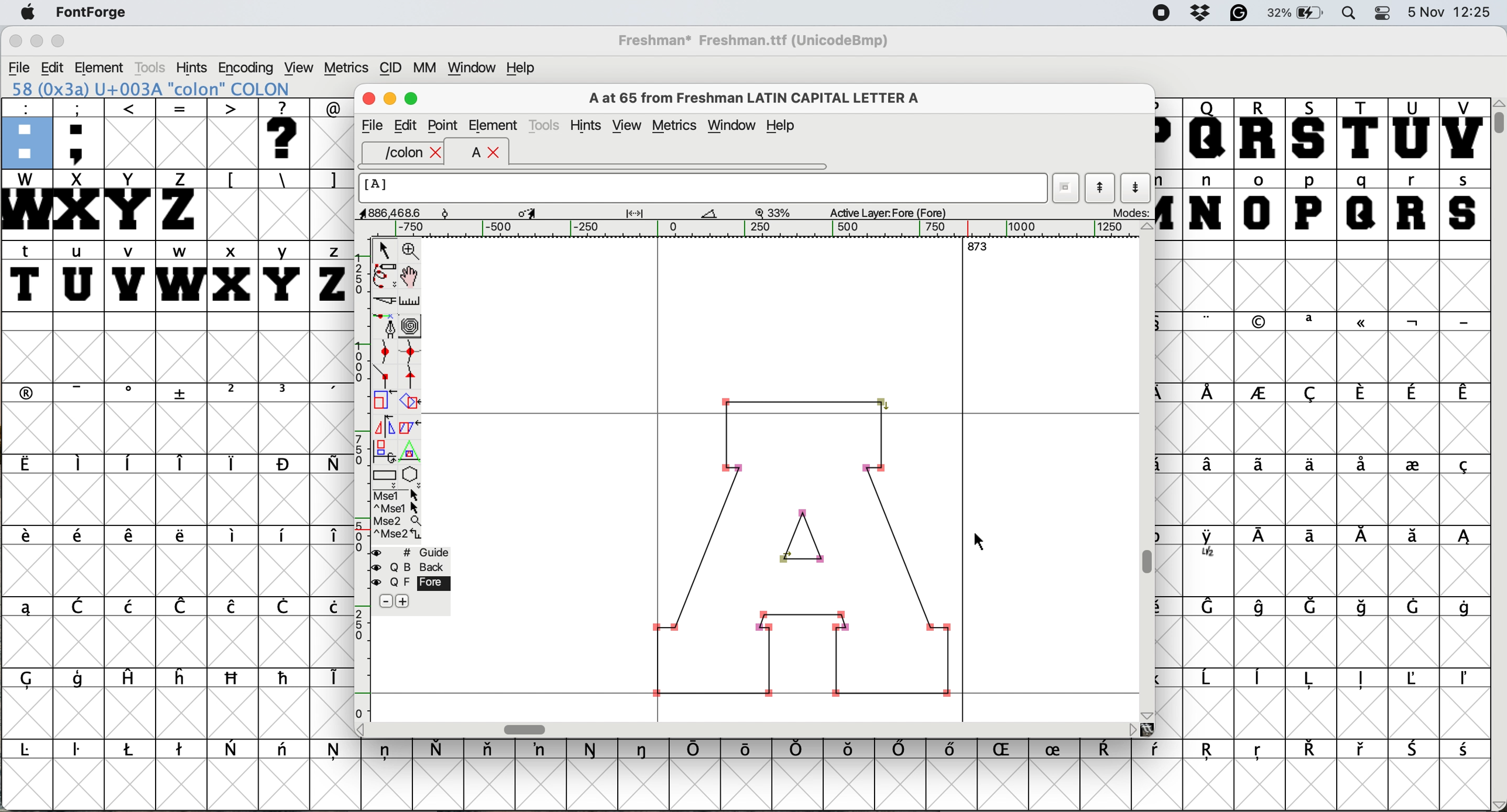 This screenshot has width=1507, height=812. What do you see at coordinates (301, 67) in the screenshot?
I see `view` at bounding box center [301, 67].